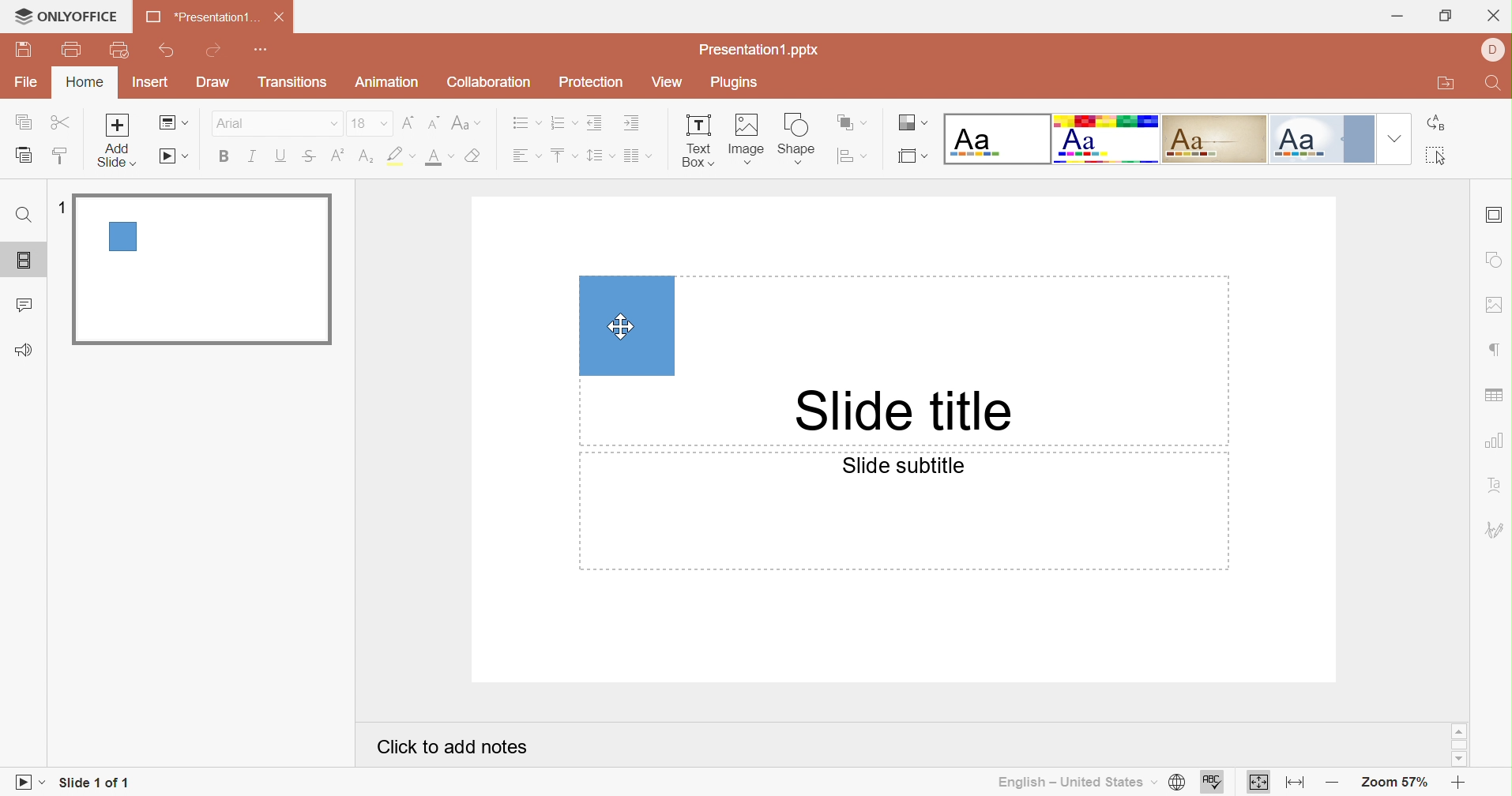 Image resolution: width=1512 pixels, height=796 pixels. What do you see at coordinates (1214, 138) in the screenshot?
I see `Classic` at bounding box center [1214, 138].